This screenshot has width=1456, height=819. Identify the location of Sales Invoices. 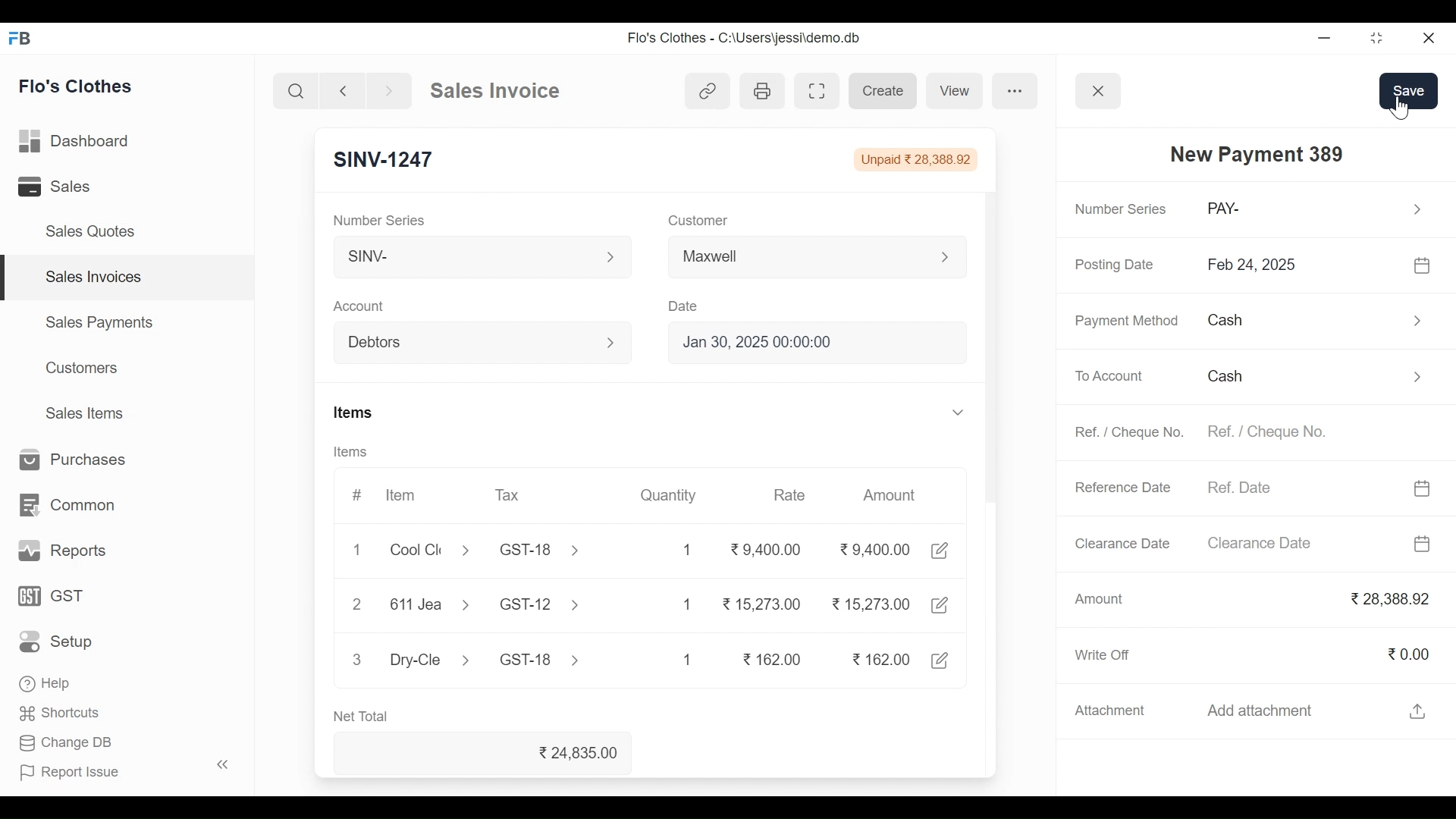
(129, 278).